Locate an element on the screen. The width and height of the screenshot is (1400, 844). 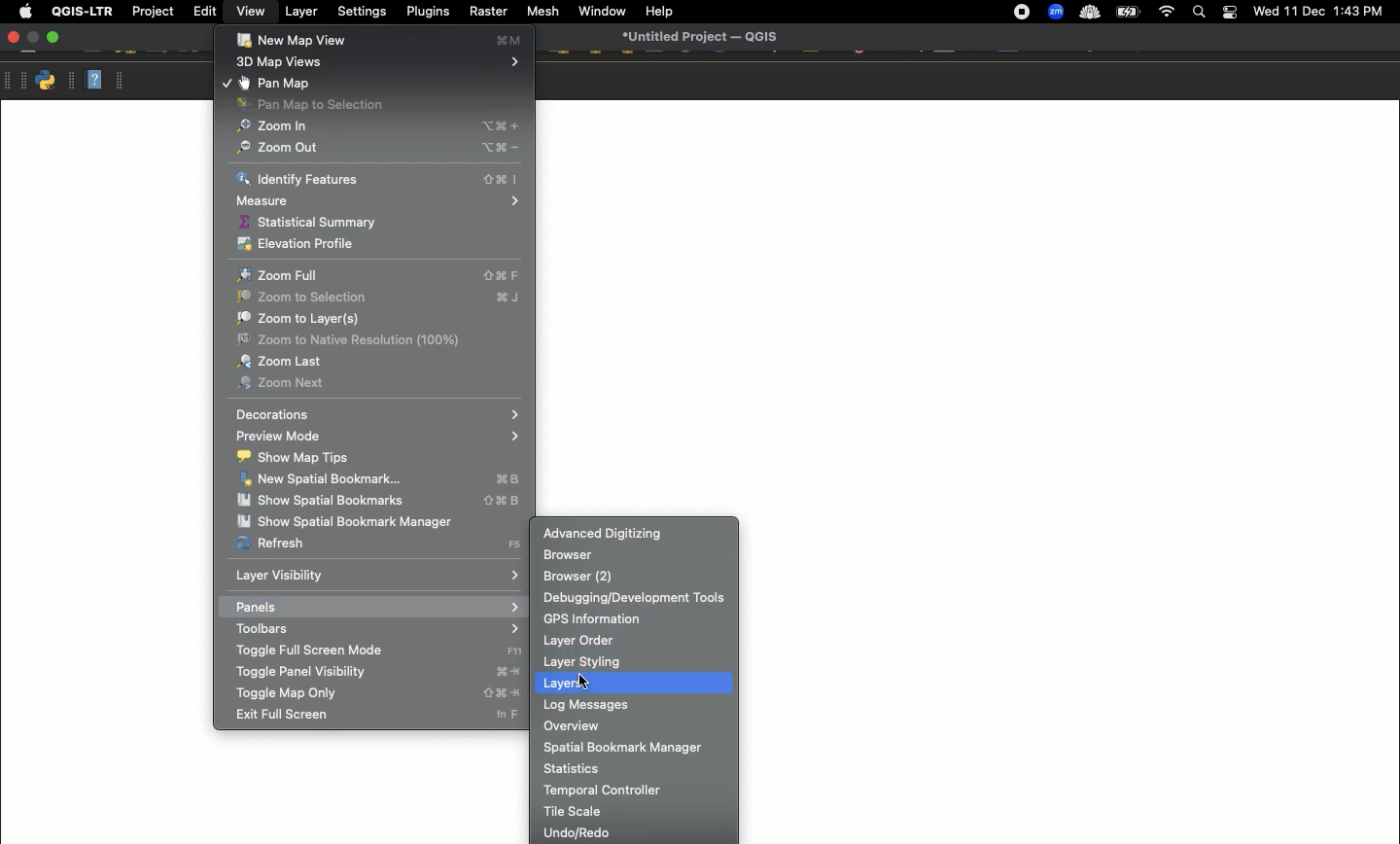
Pan map to selection is located at coordinates (373, 104).